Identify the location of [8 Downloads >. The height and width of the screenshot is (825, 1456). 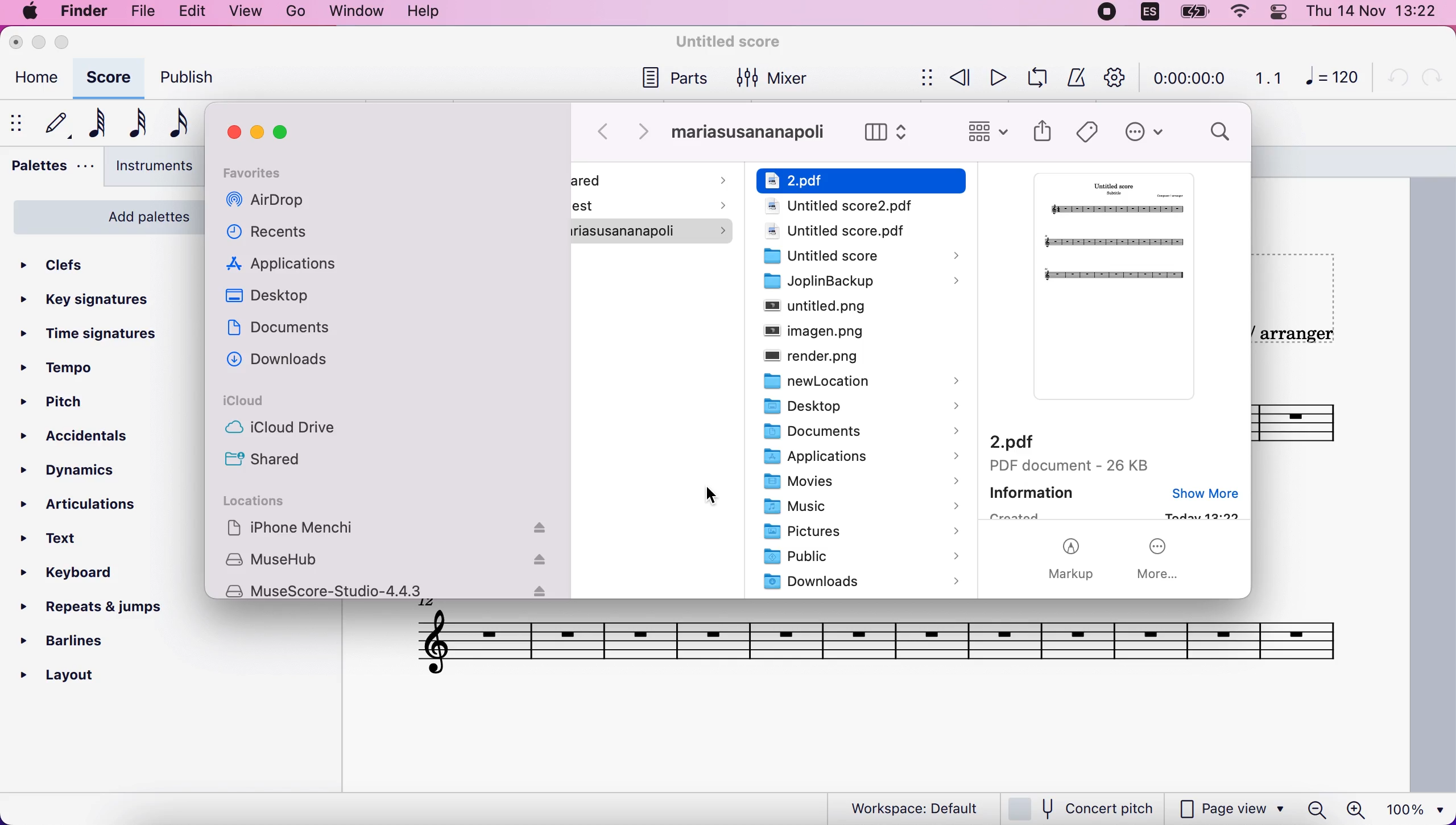
(858, 581).